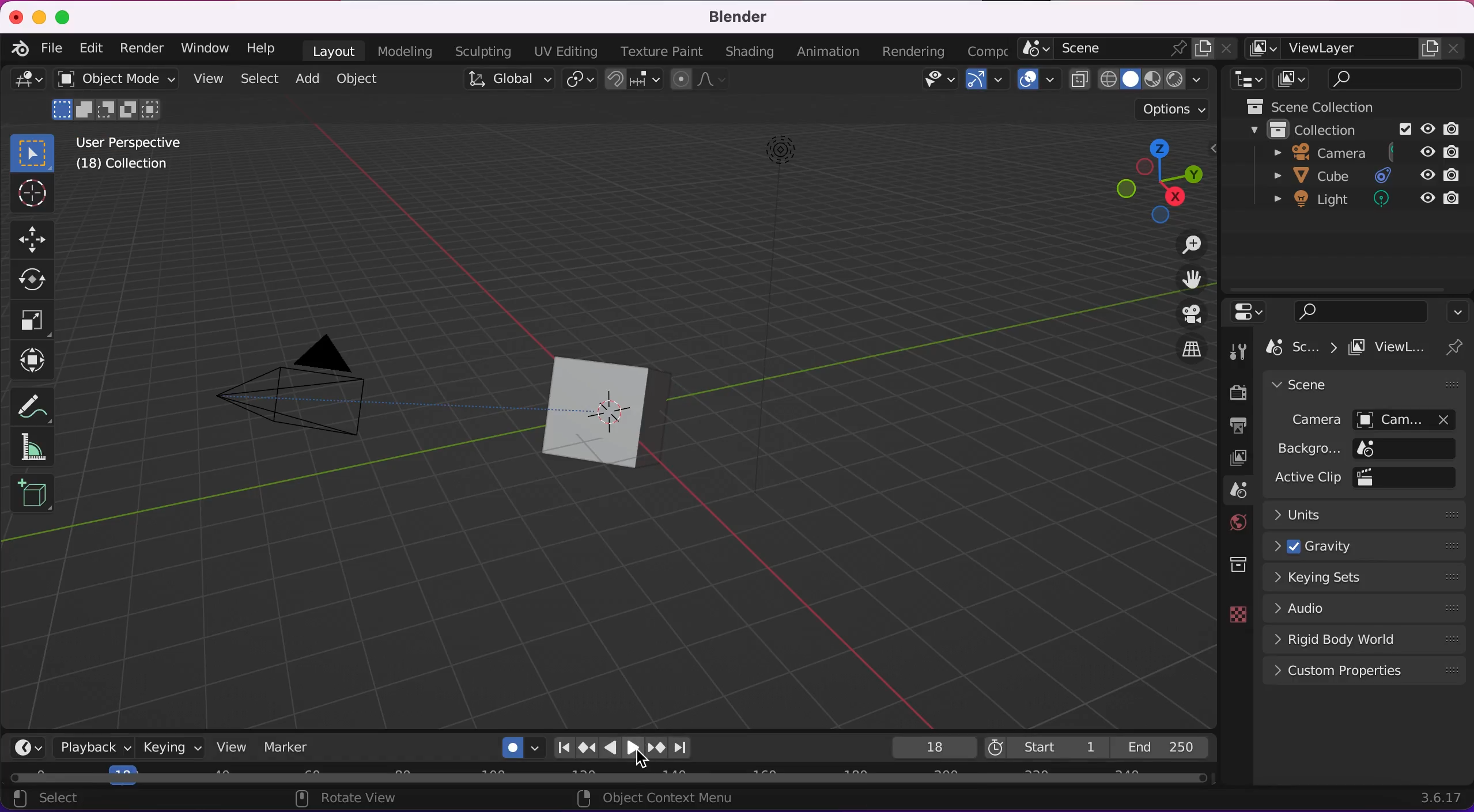  What do you see at coordinates (91, 748) in the screenshot?
I see `playback` at bounding box center [91, 748].